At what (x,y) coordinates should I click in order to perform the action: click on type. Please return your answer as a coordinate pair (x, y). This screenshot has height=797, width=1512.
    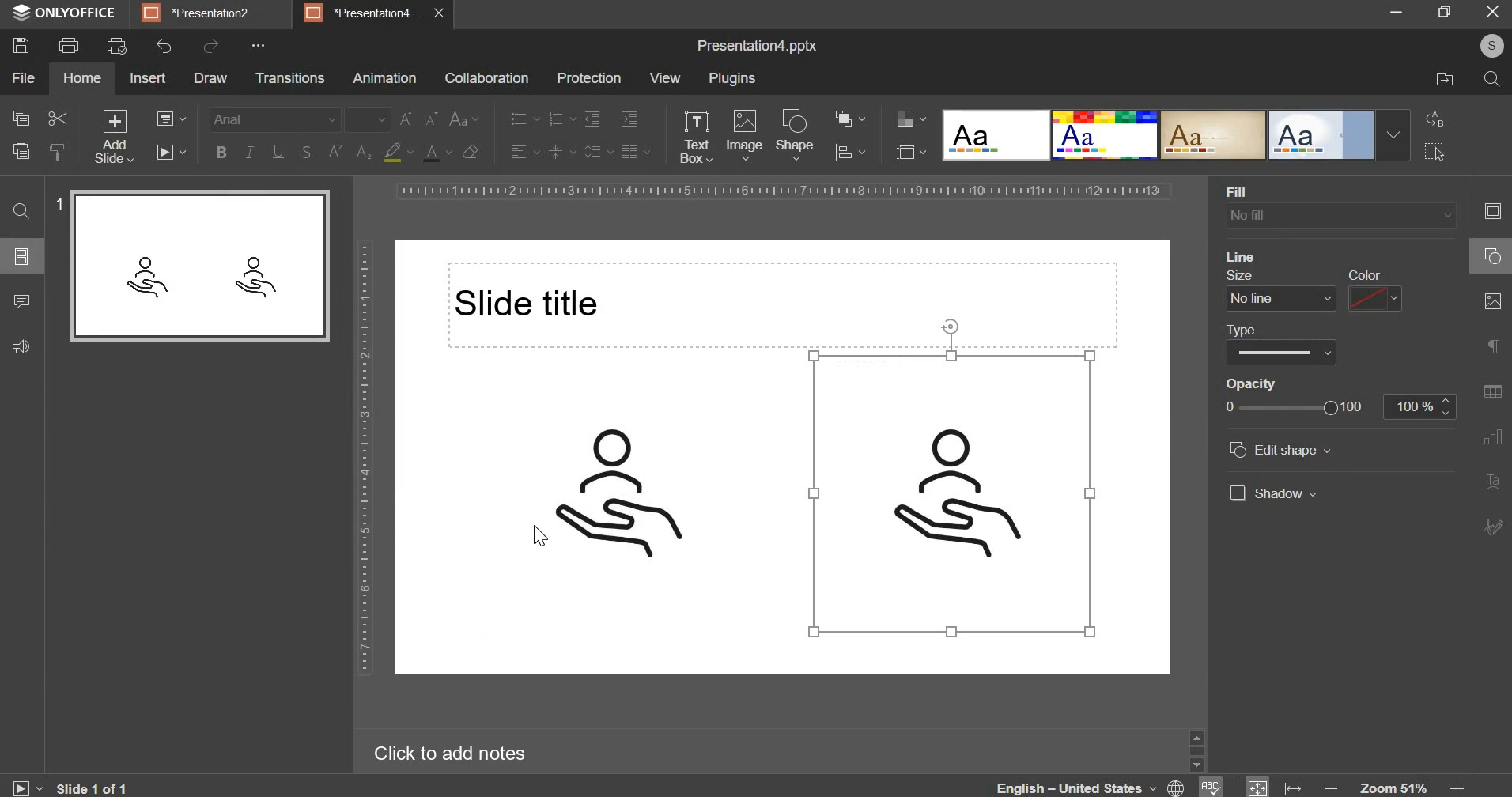
    Looking at the image, I should click on (1247, 330).